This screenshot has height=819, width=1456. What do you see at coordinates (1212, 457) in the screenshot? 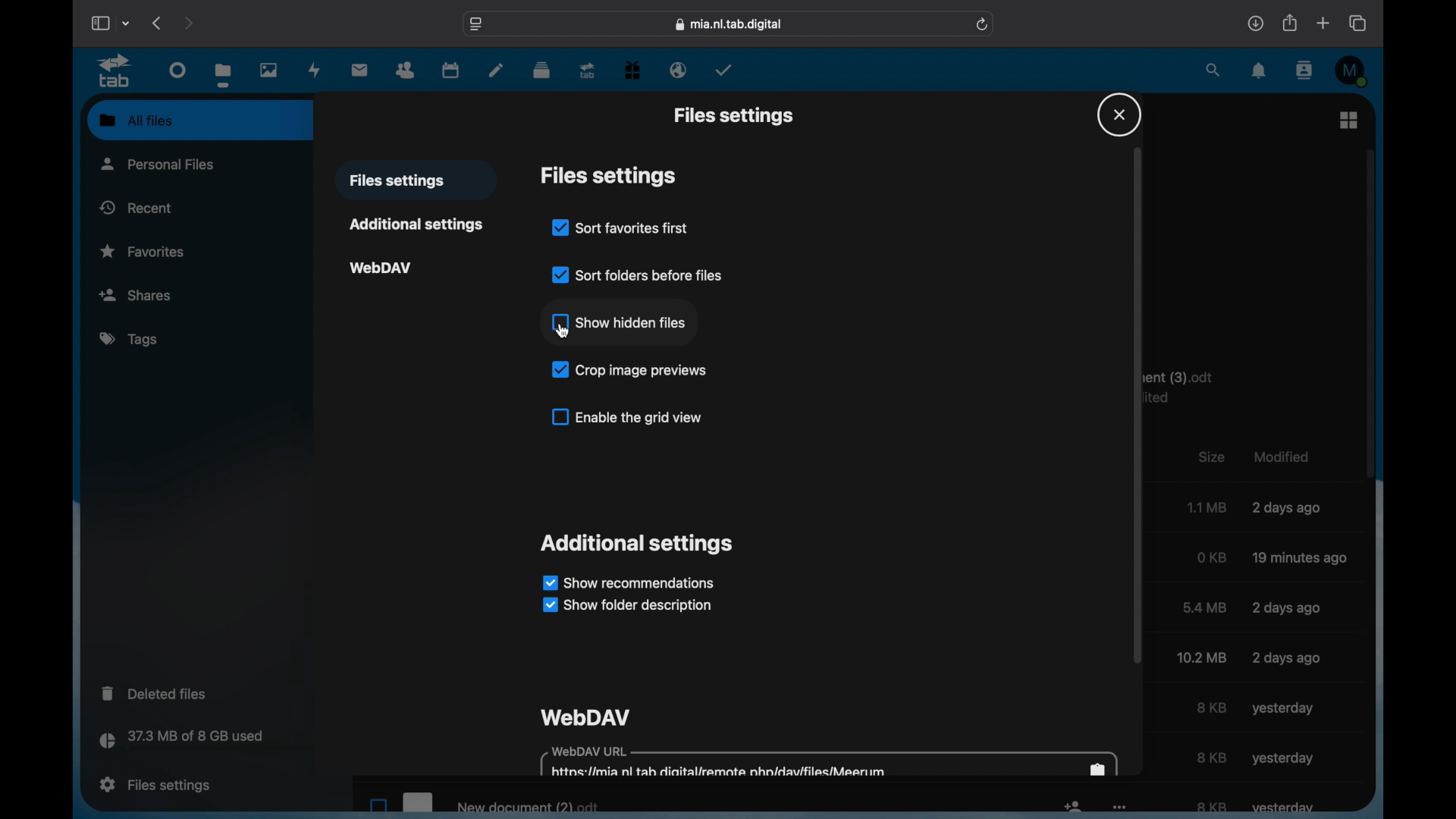
I see `size` at bounding box center [1212, 457].